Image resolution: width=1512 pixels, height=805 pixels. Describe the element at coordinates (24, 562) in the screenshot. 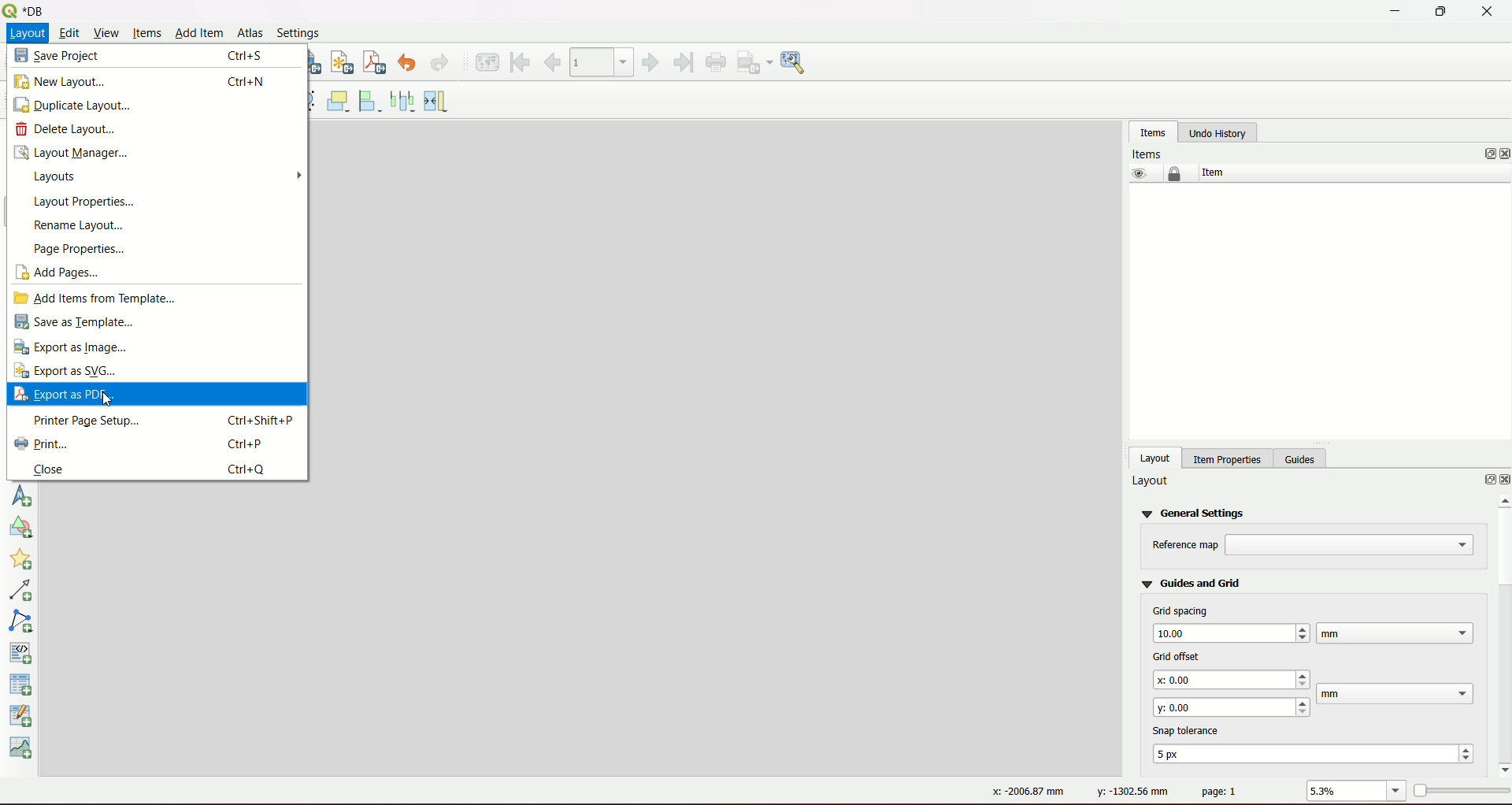

I see `add marker` at that location.